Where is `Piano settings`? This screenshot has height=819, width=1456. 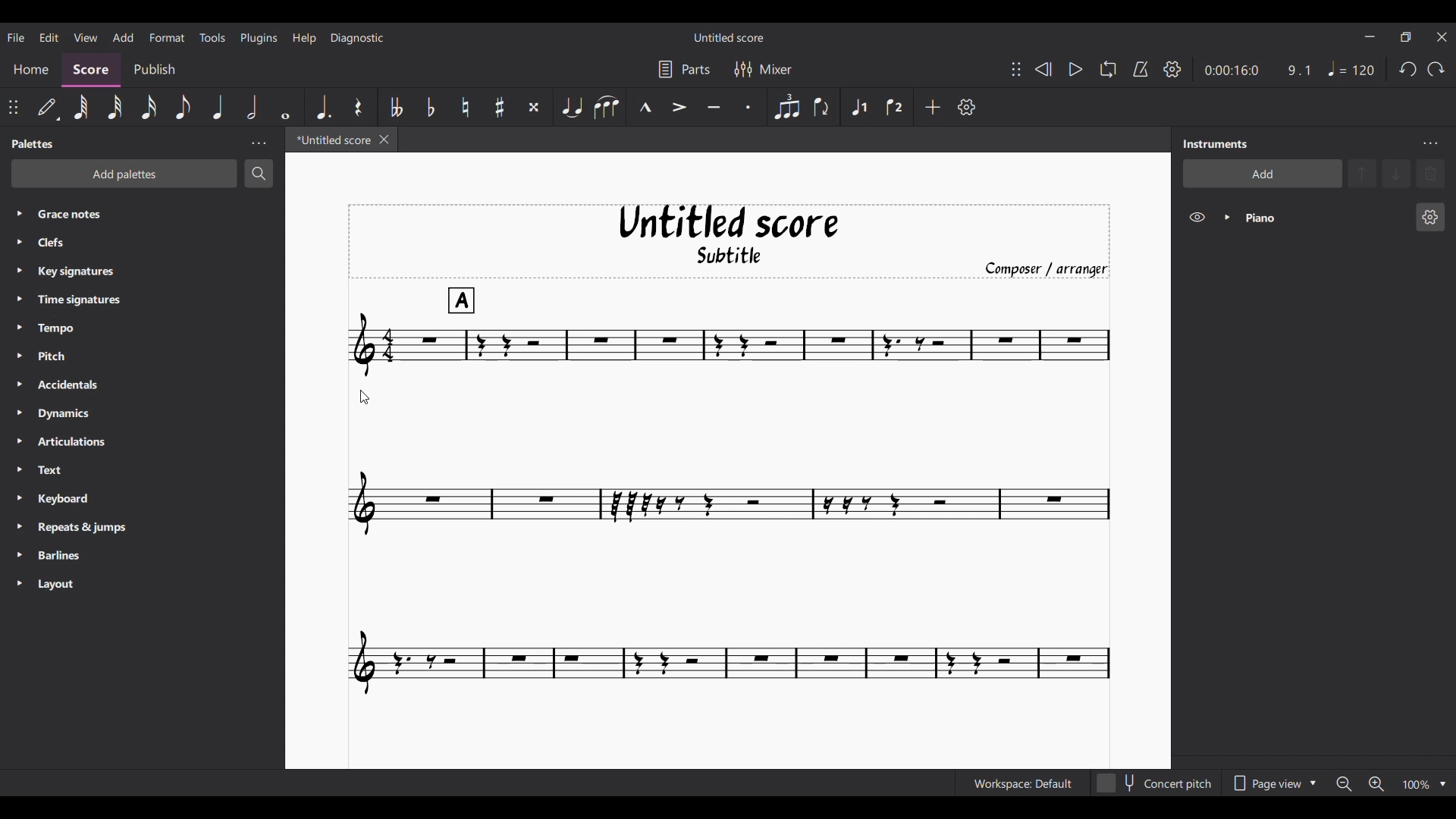
Piano settings is located at coordinates (1430, 217).